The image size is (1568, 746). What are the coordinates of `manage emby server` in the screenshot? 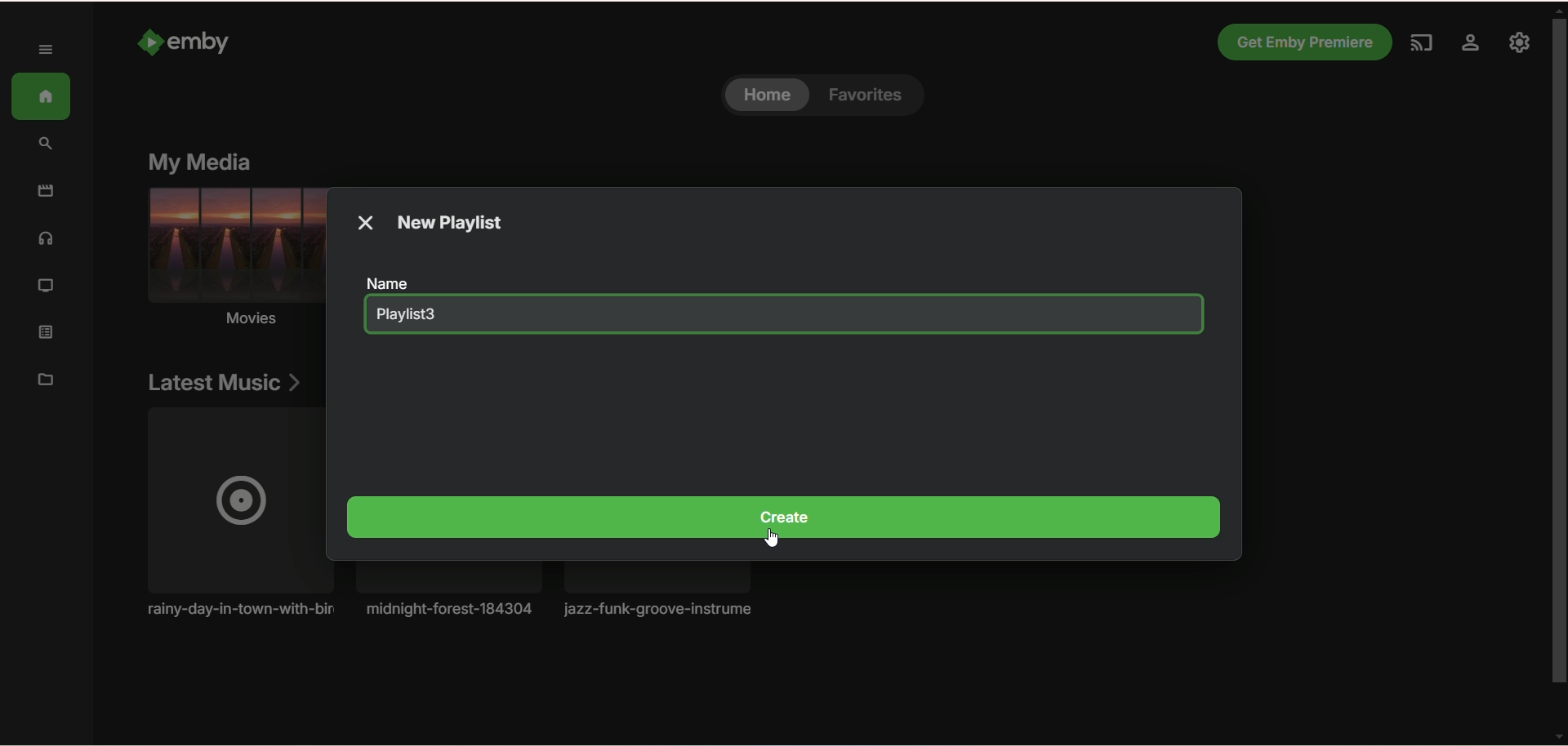 It's located at (1521, 44).